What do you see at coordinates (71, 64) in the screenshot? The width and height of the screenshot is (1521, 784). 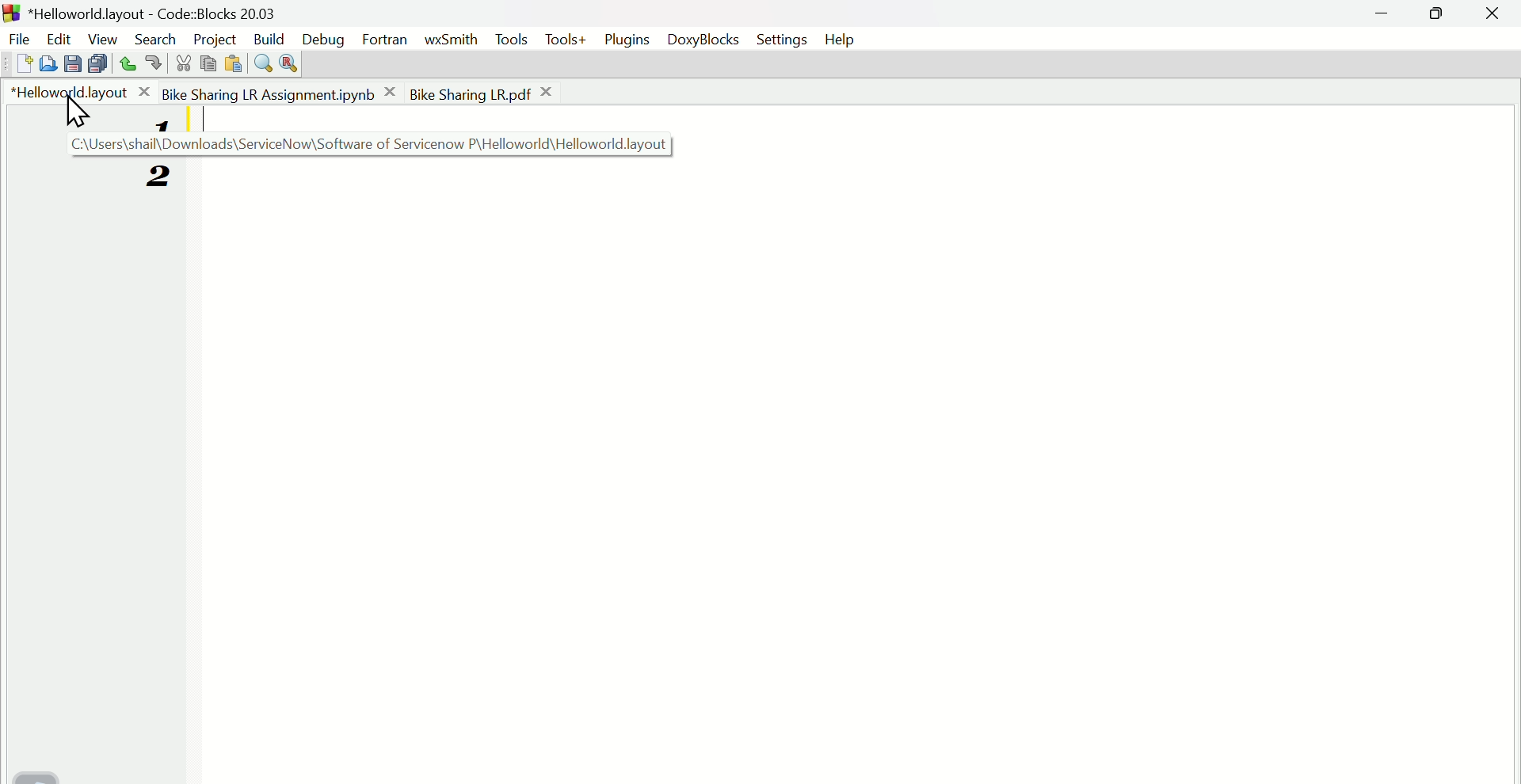 I see `Save as` at bounding box center [71, 64].